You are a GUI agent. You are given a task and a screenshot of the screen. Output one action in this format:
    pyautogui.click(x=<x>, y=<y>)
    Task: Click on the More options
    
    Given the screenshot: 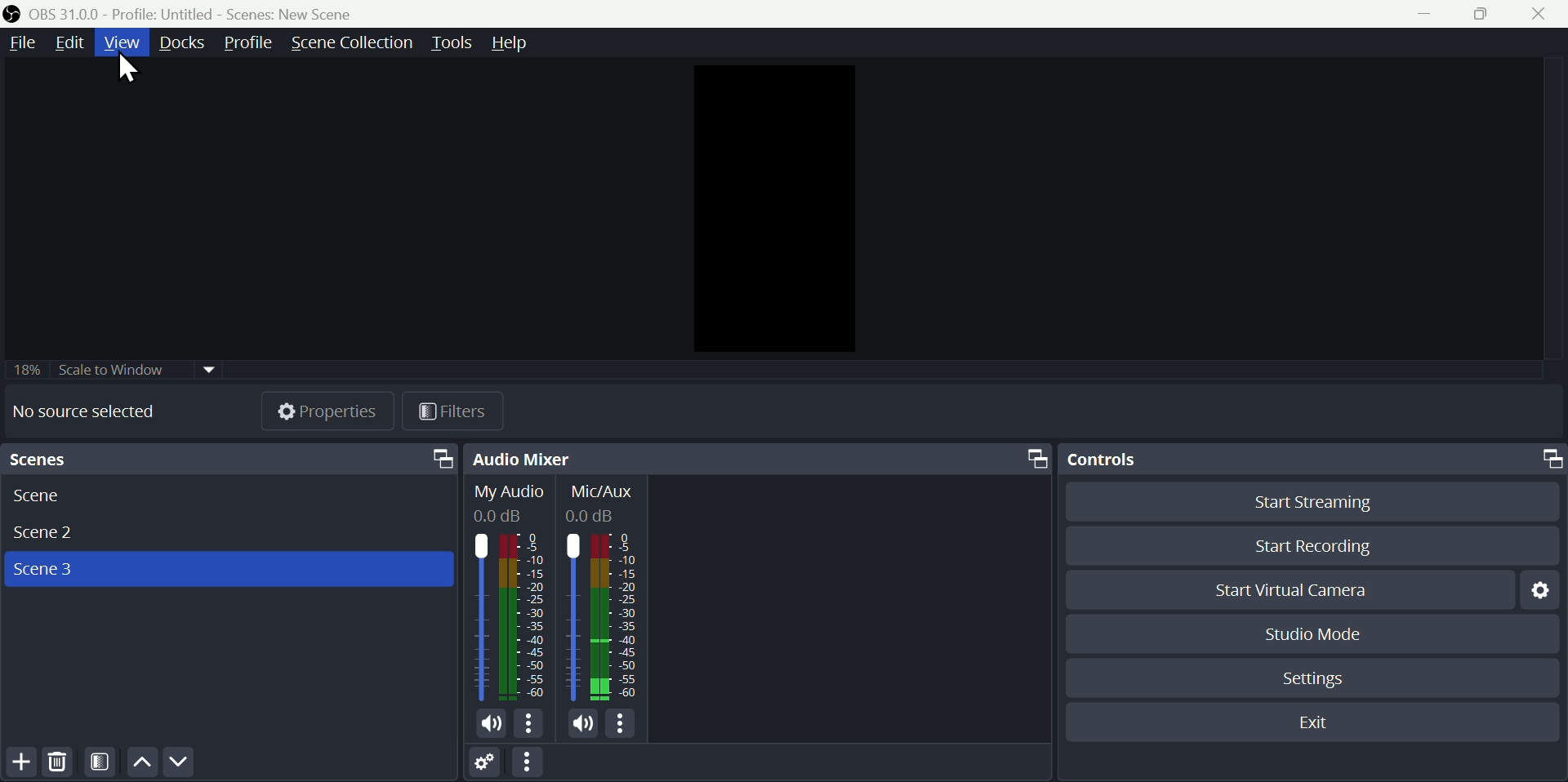 What is the action you would take?
    pyautogui.click(x=535, y=763)
    